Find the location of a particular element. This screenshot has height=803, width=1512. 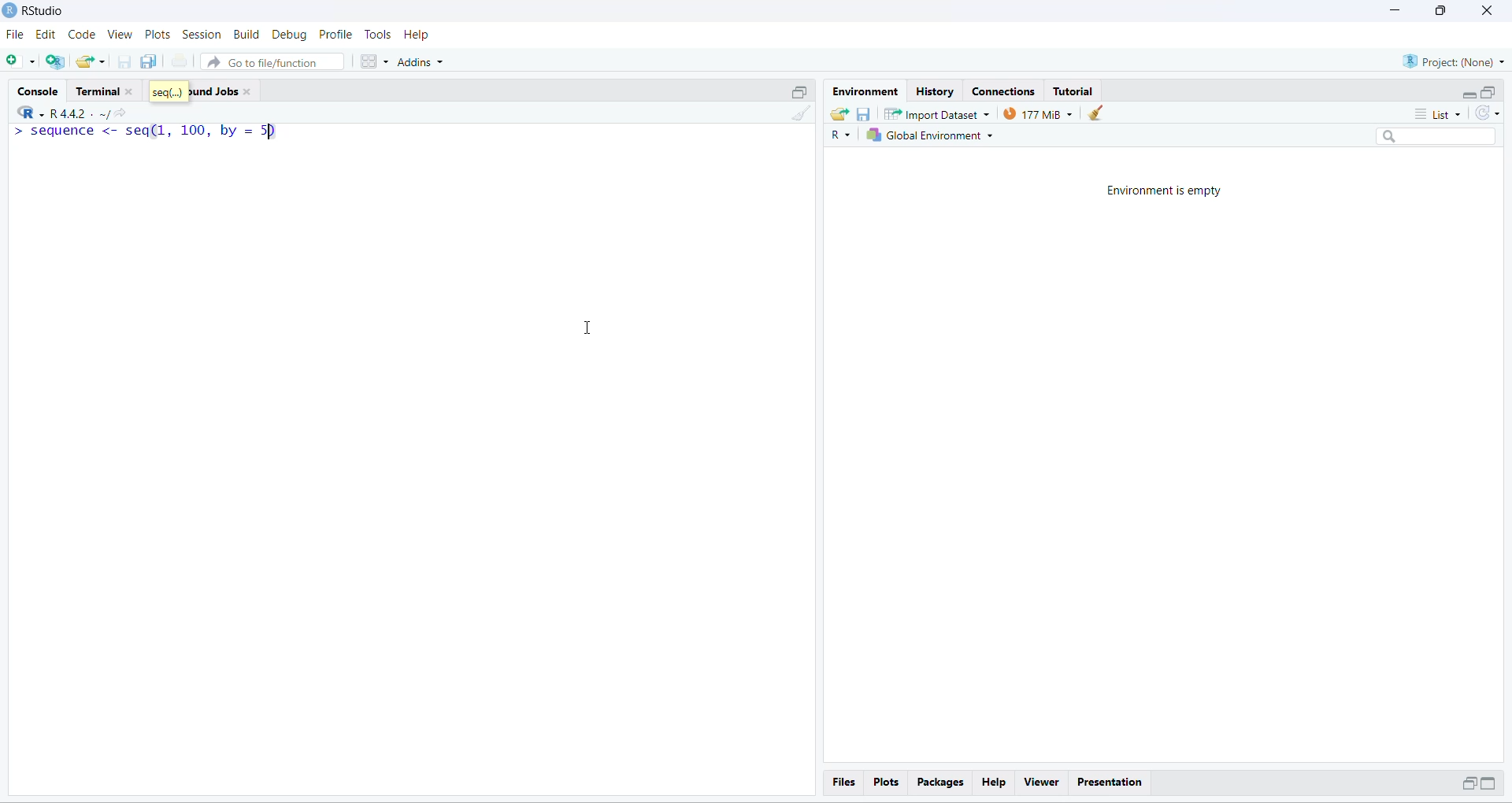

open in separate window is located at coordinates (801, 92).